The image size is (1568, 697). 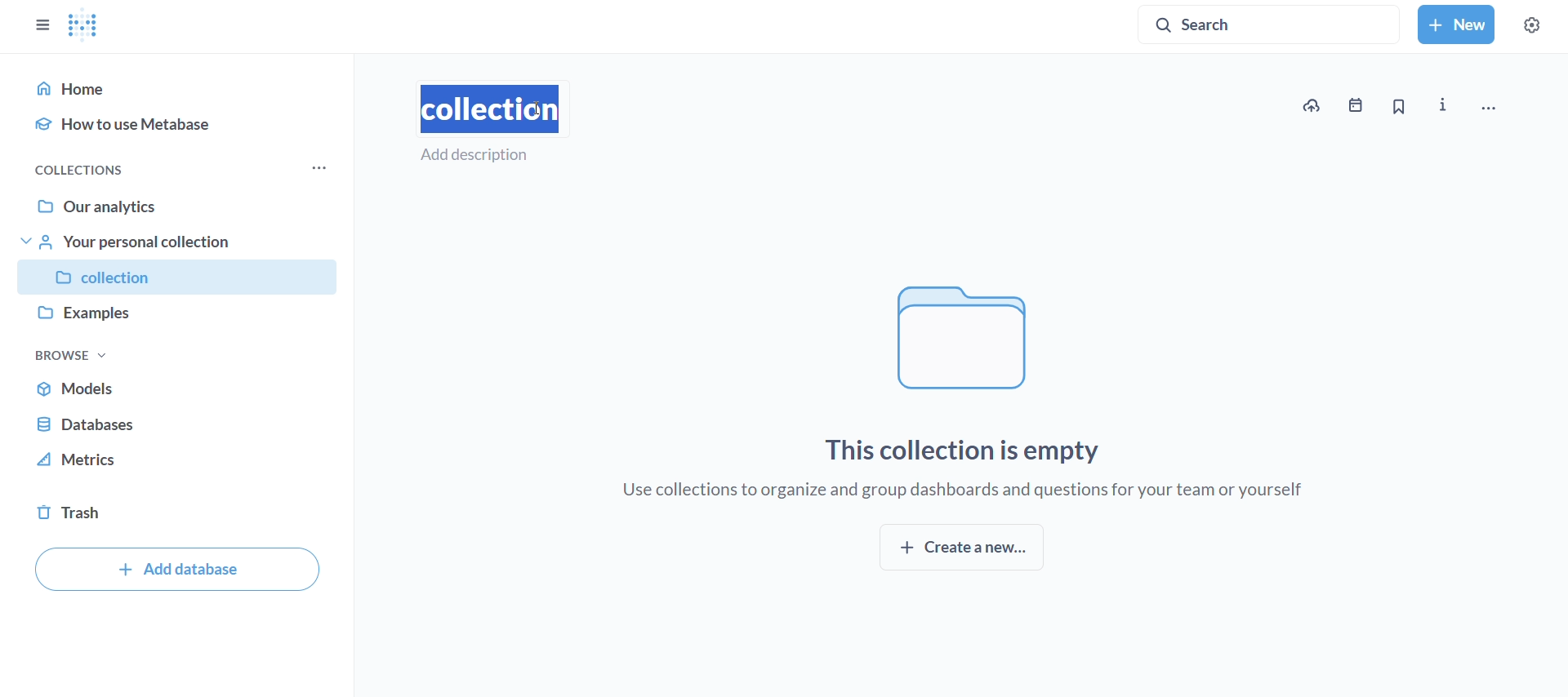 I want to click on more, so click(x=323, y=168).